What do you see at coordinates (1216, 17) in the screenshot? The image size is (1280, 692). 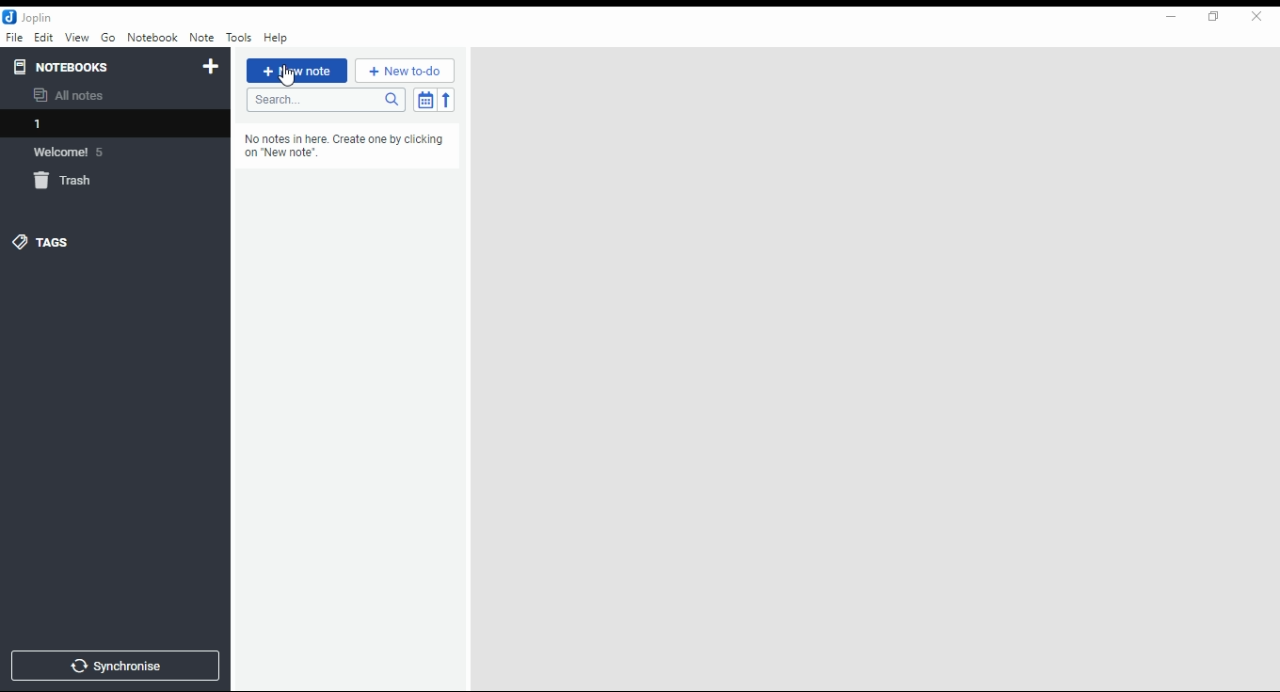 I see `restore` at bounding box center [1216, 17].